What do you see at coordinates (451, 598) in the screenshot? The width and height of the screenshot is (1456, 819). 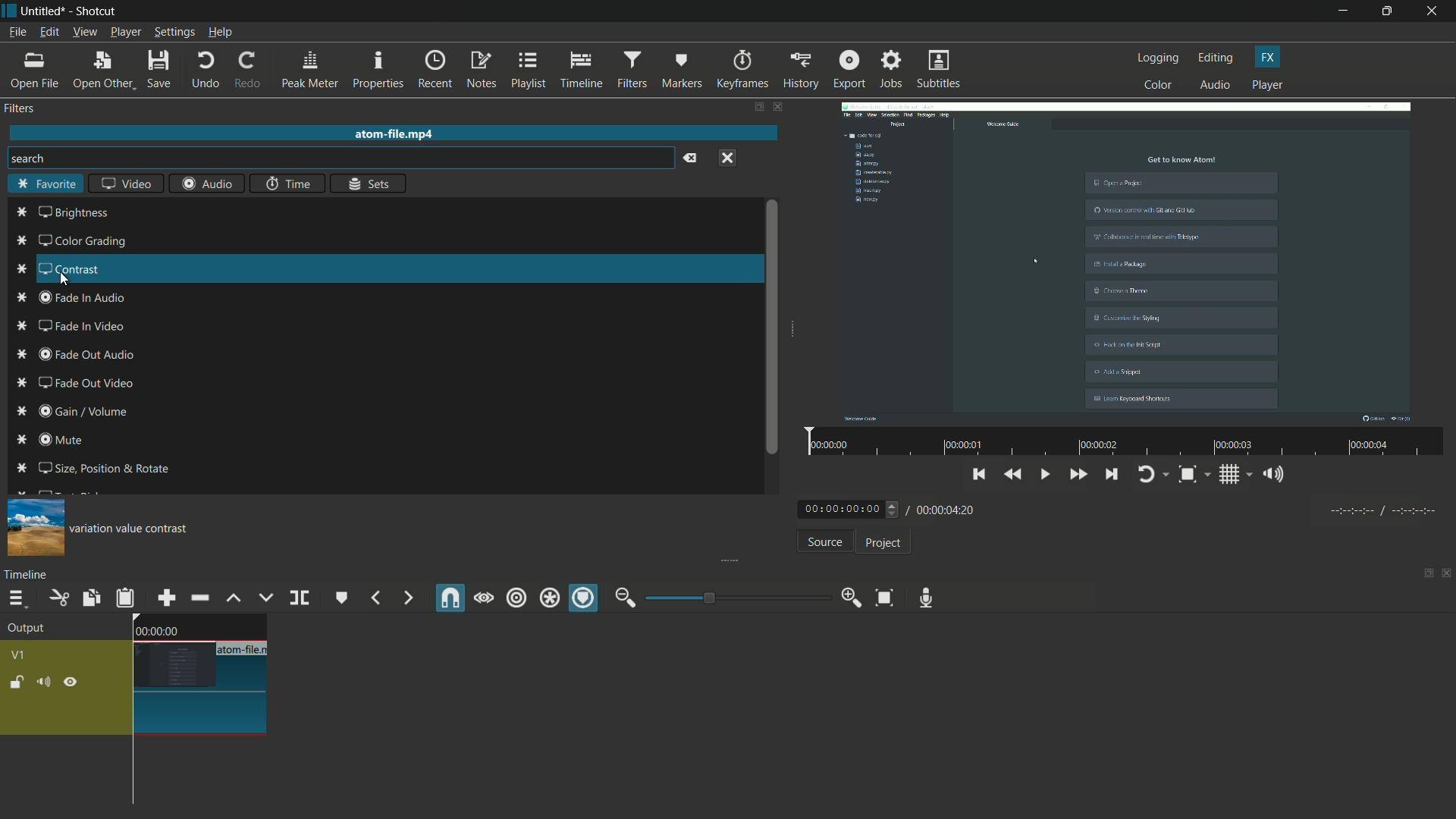 I see `snap` at bounding box center [451, 598].